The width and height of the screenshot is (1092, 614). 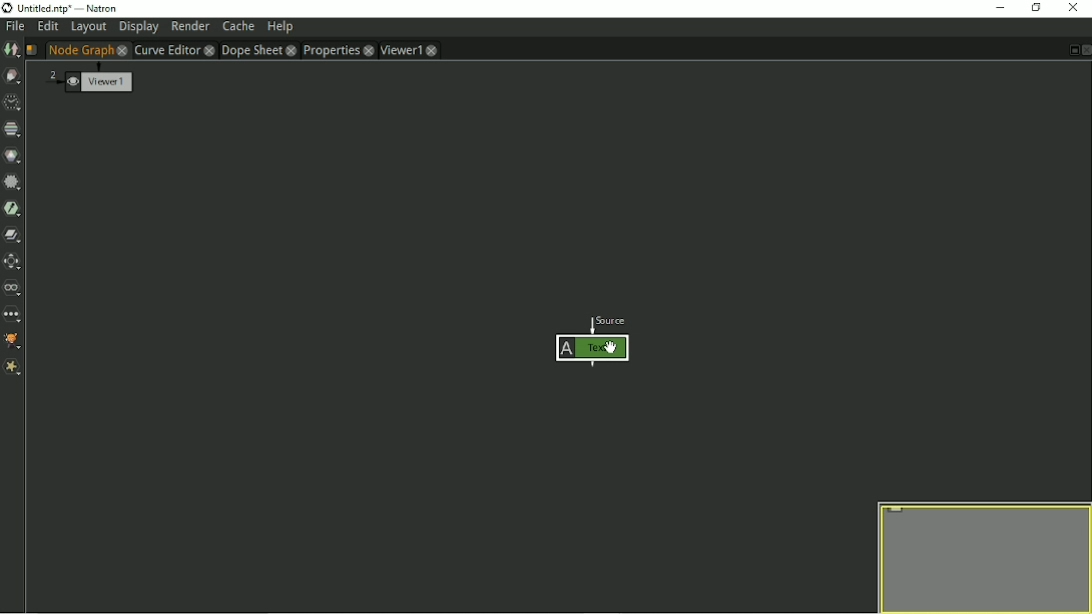 What do you see at coordinates (190, 27) in the screenshot?
I see `Render` at bounding box center [190, 27].